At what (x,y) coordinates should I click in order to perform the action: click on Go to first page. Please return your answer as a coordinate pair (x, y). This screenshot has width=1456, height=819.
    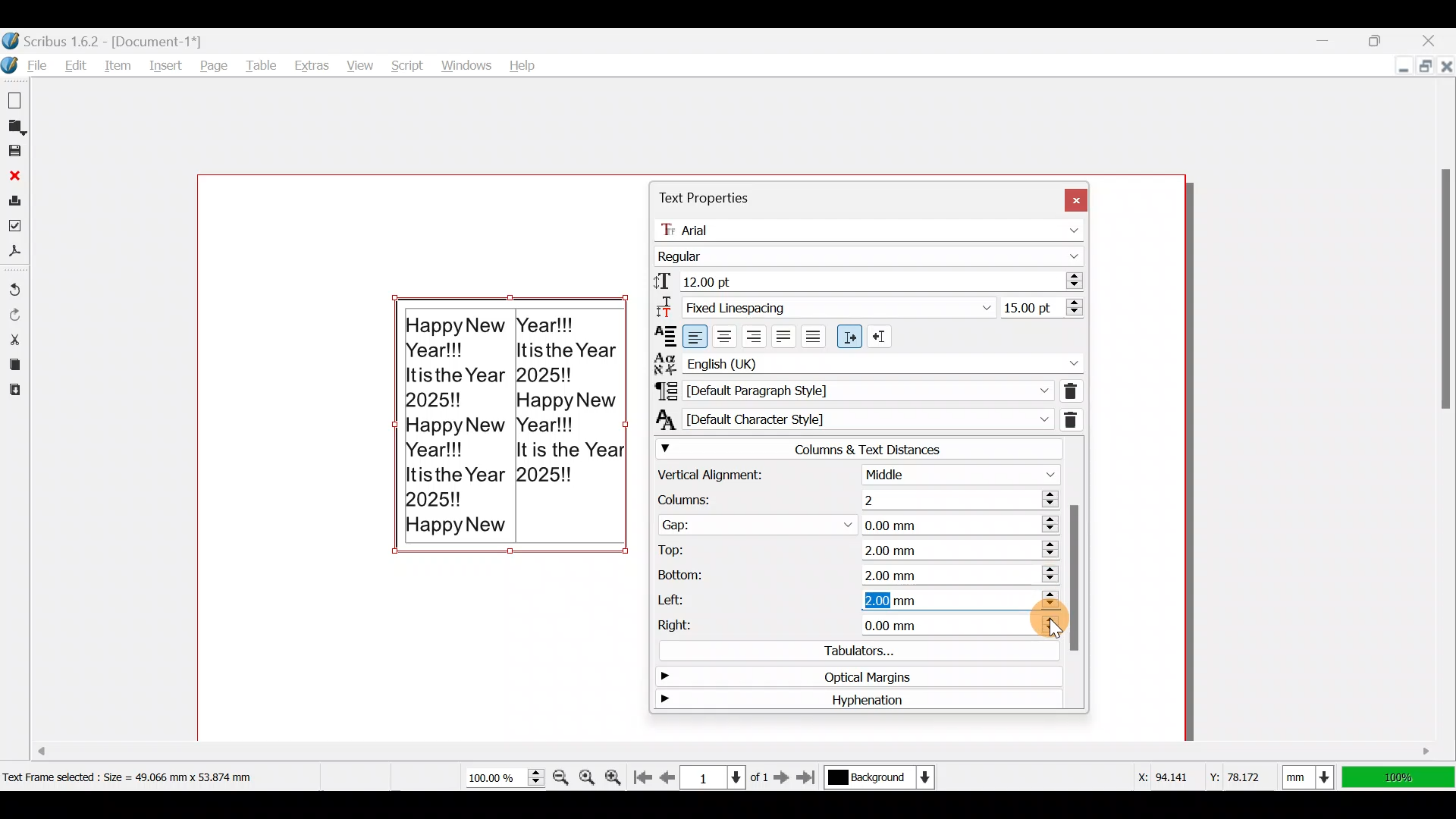
    Looking at the image, I should click on (645, 774).